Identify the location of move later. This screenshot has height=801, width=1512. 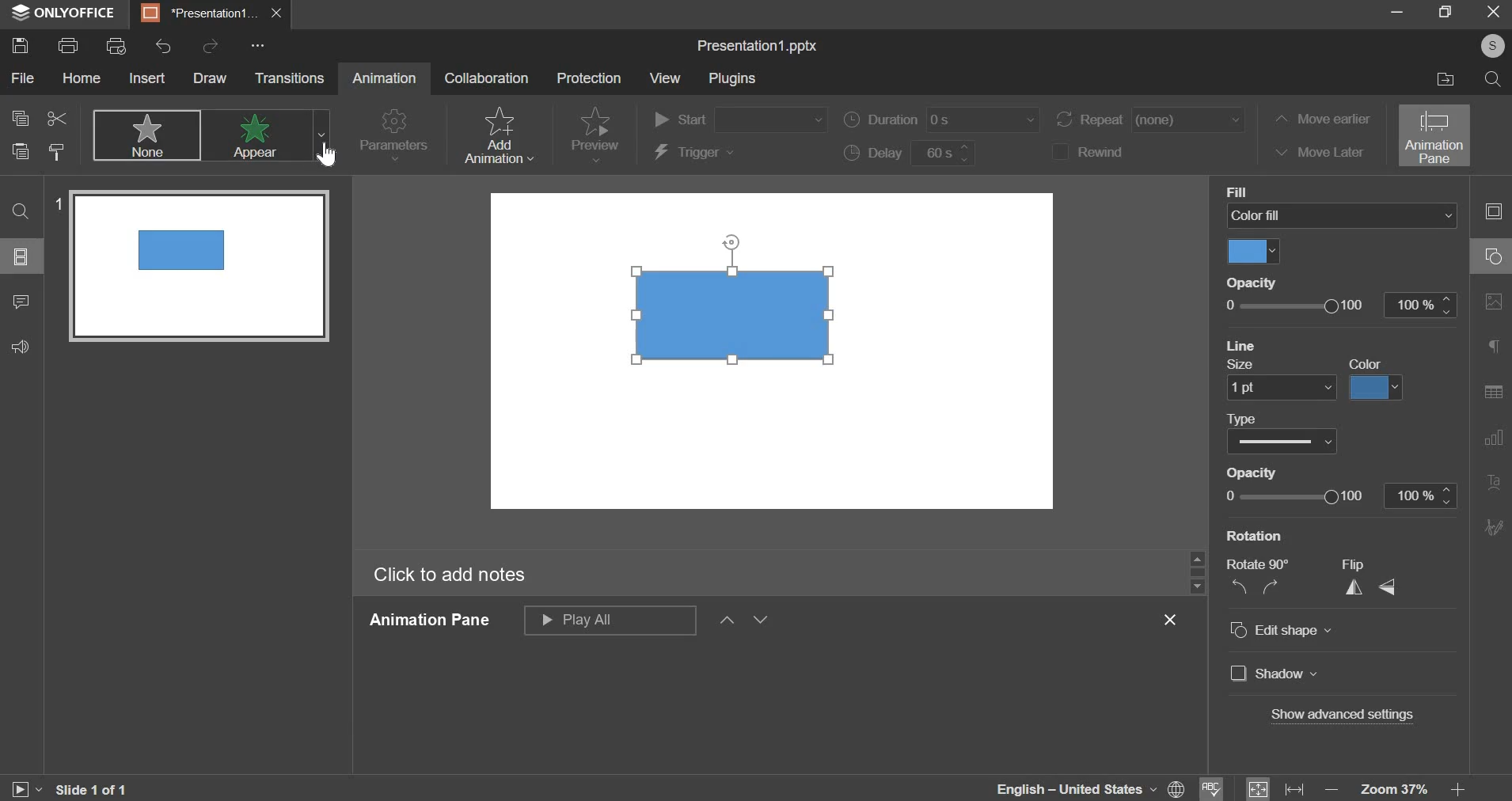
(1321, 154).